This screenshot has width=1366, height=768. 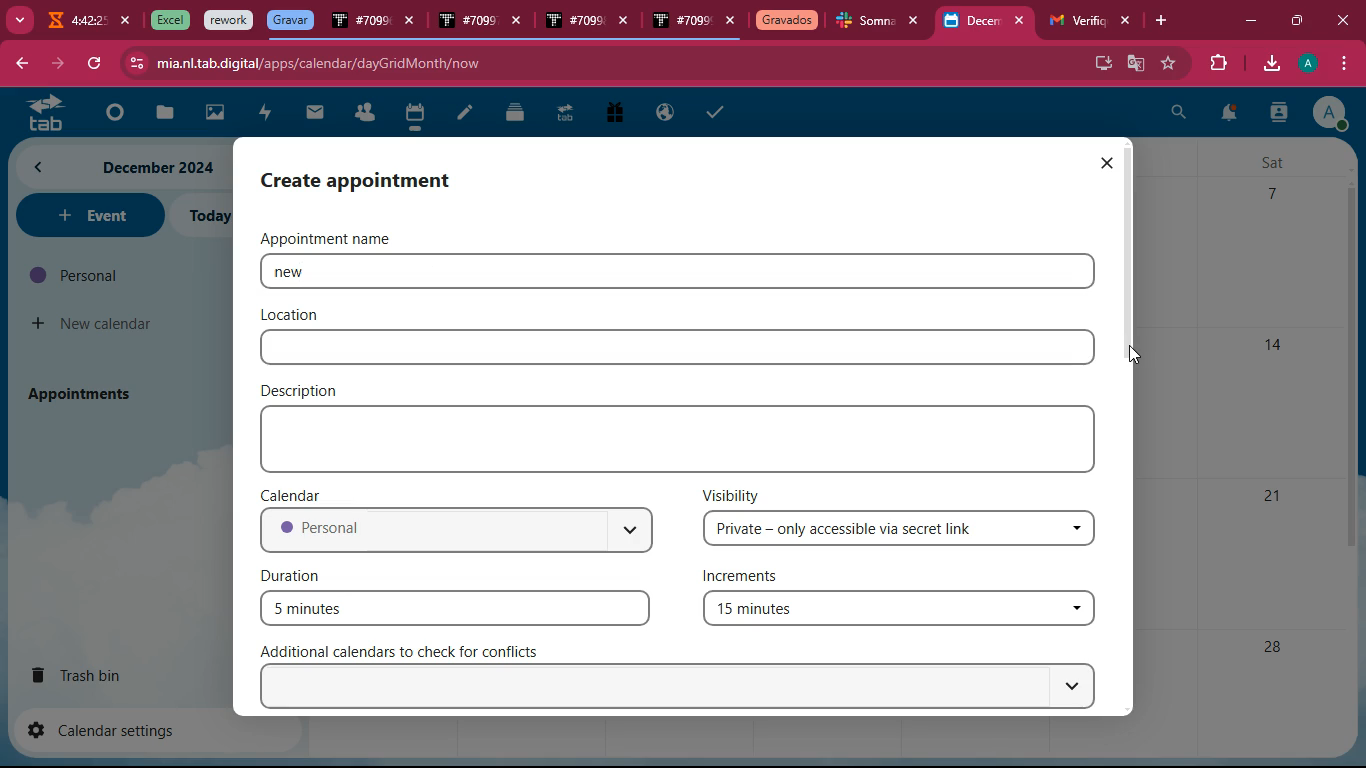 I want to click on close, so click(x=1347, y=20).